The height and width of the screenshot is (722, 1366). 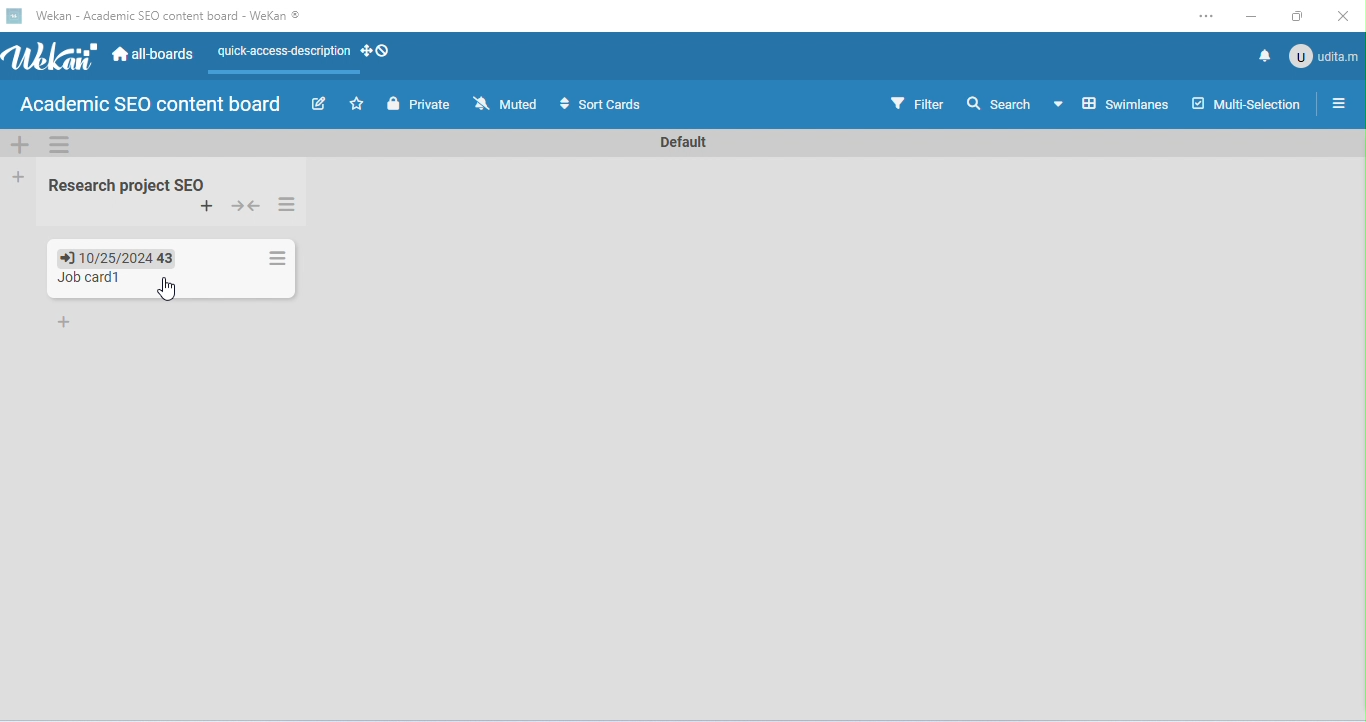 I want to click on collapse, so click(x=248, y=206).